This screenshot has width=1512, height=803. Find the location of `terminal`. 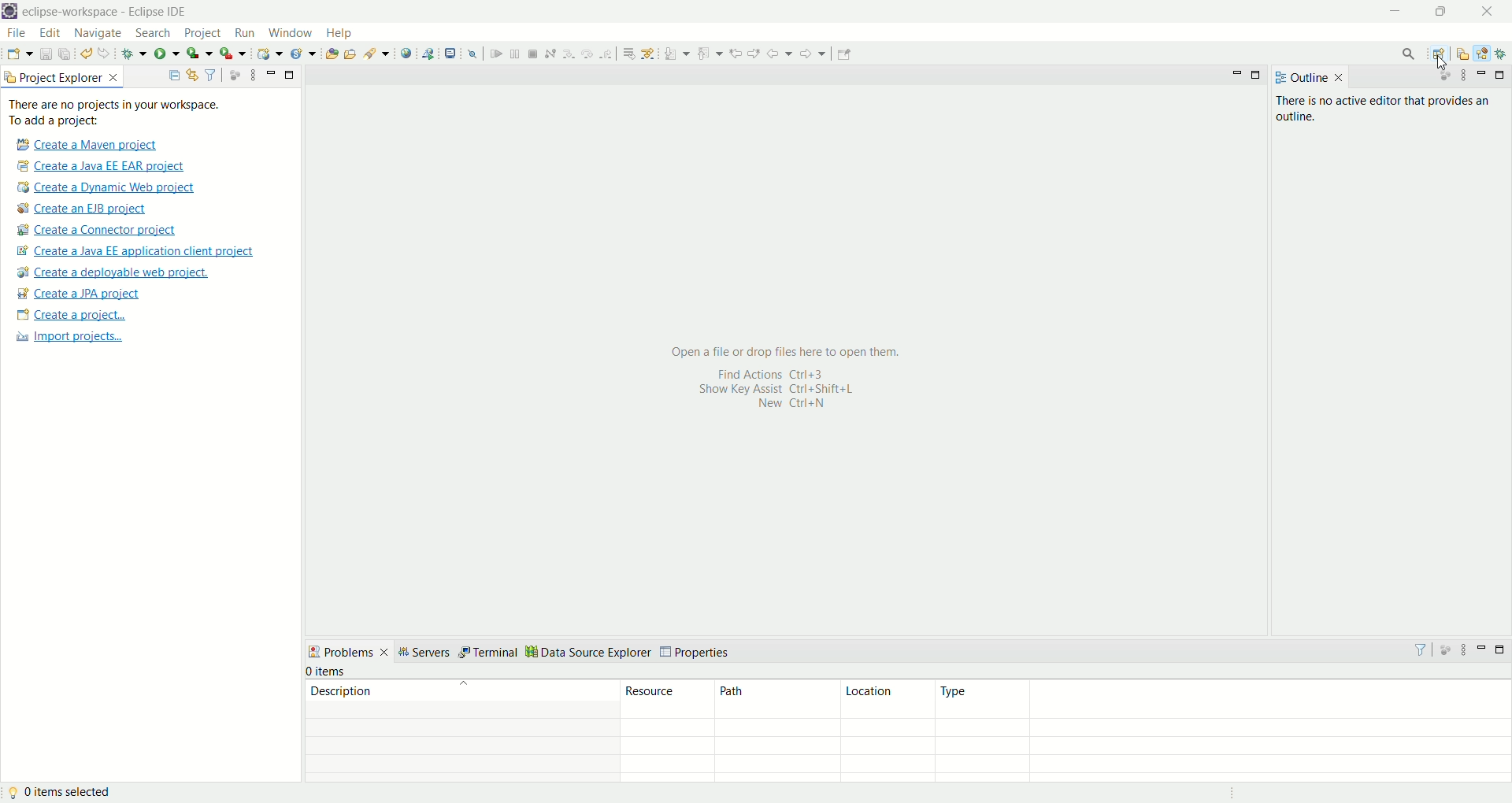

terminal is located at coordinates (488, 651).